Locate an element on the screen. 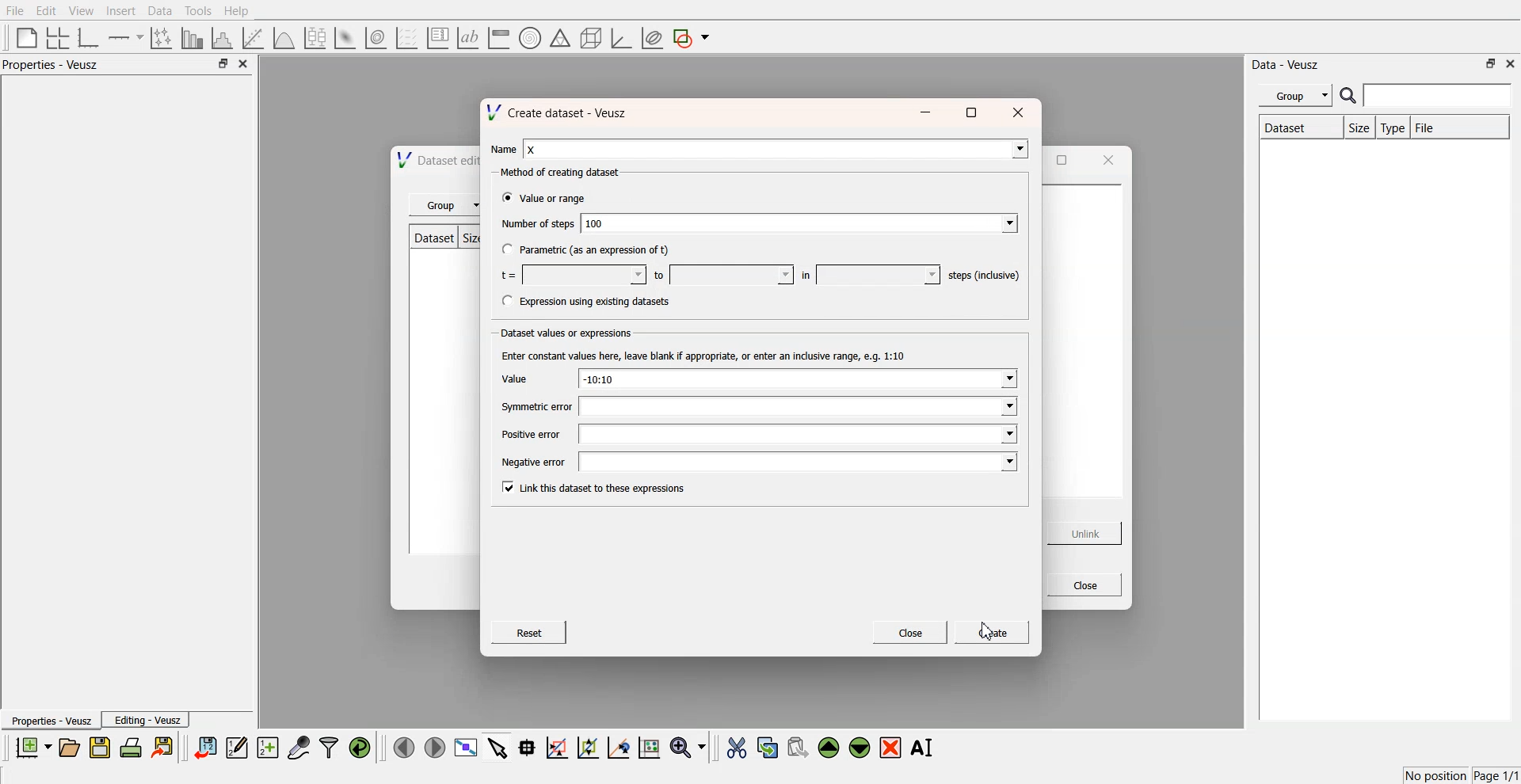  3d shapes is located at coordinates (588, 38).